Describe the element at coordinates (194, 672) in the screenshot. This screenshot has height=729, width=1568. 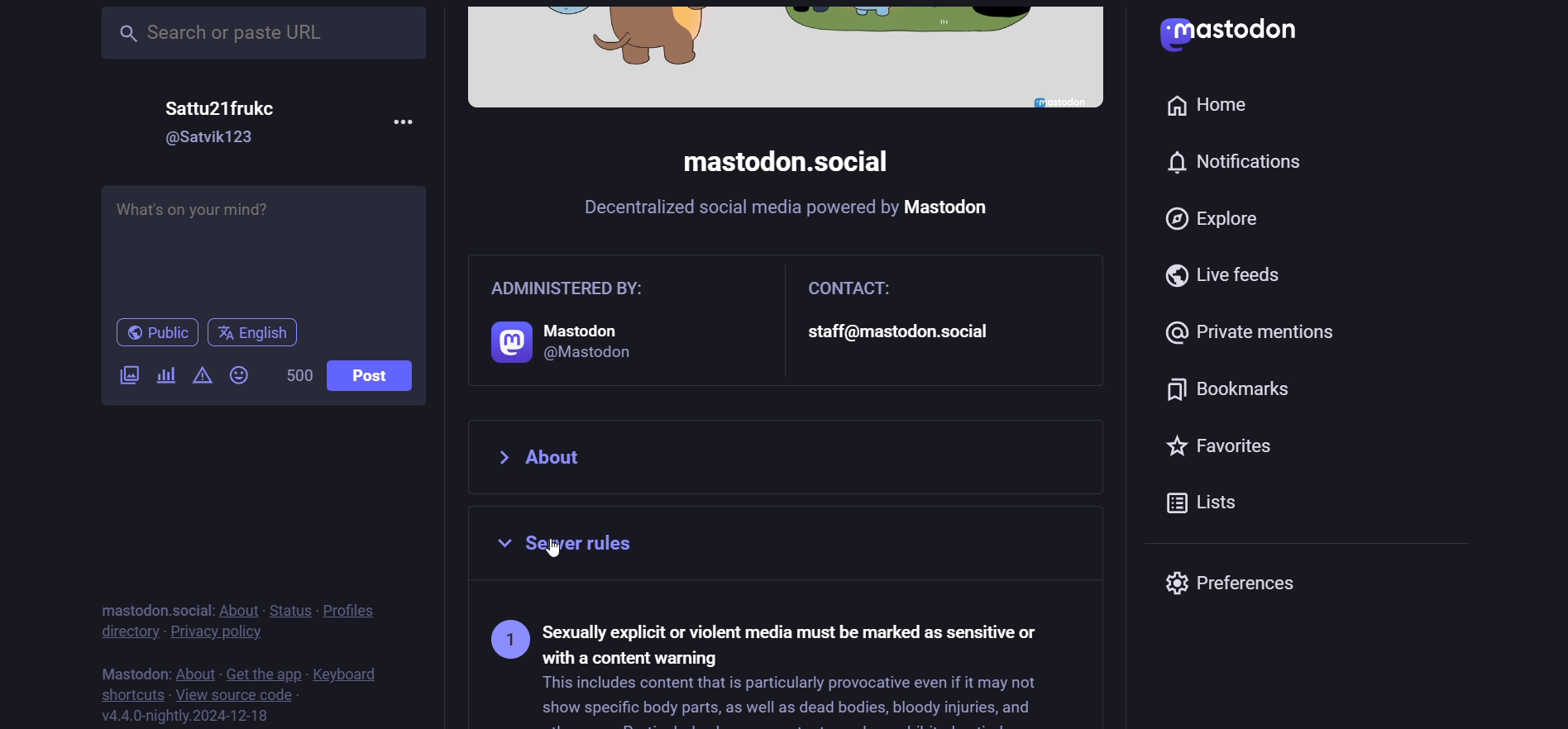
I see `about` at that location.